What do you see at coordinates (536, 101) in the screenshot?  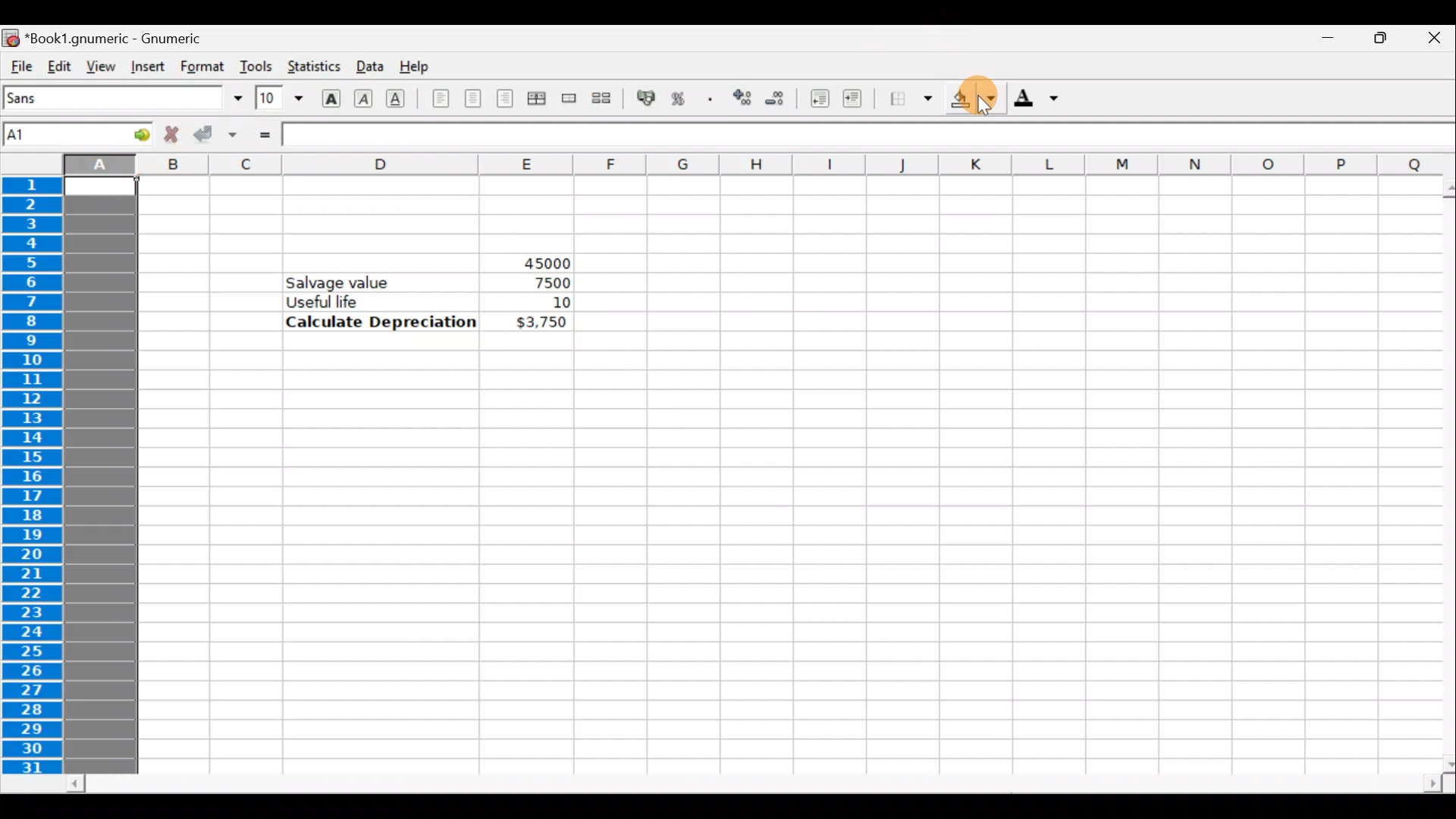 I see `Centre horizontally across selection` at bounding box center [536, 101].